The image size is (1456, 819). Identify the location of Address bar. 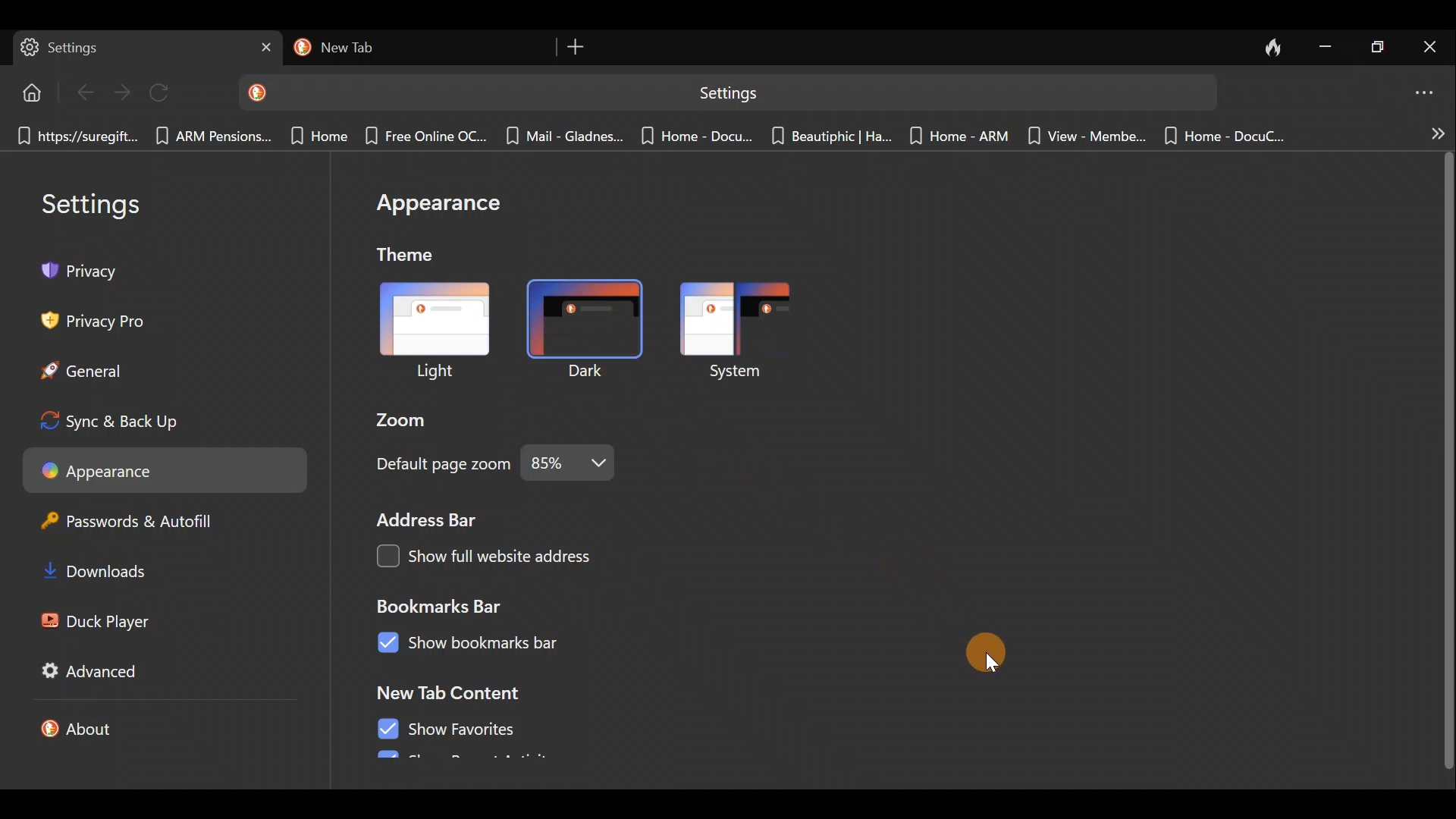
(428, 518).